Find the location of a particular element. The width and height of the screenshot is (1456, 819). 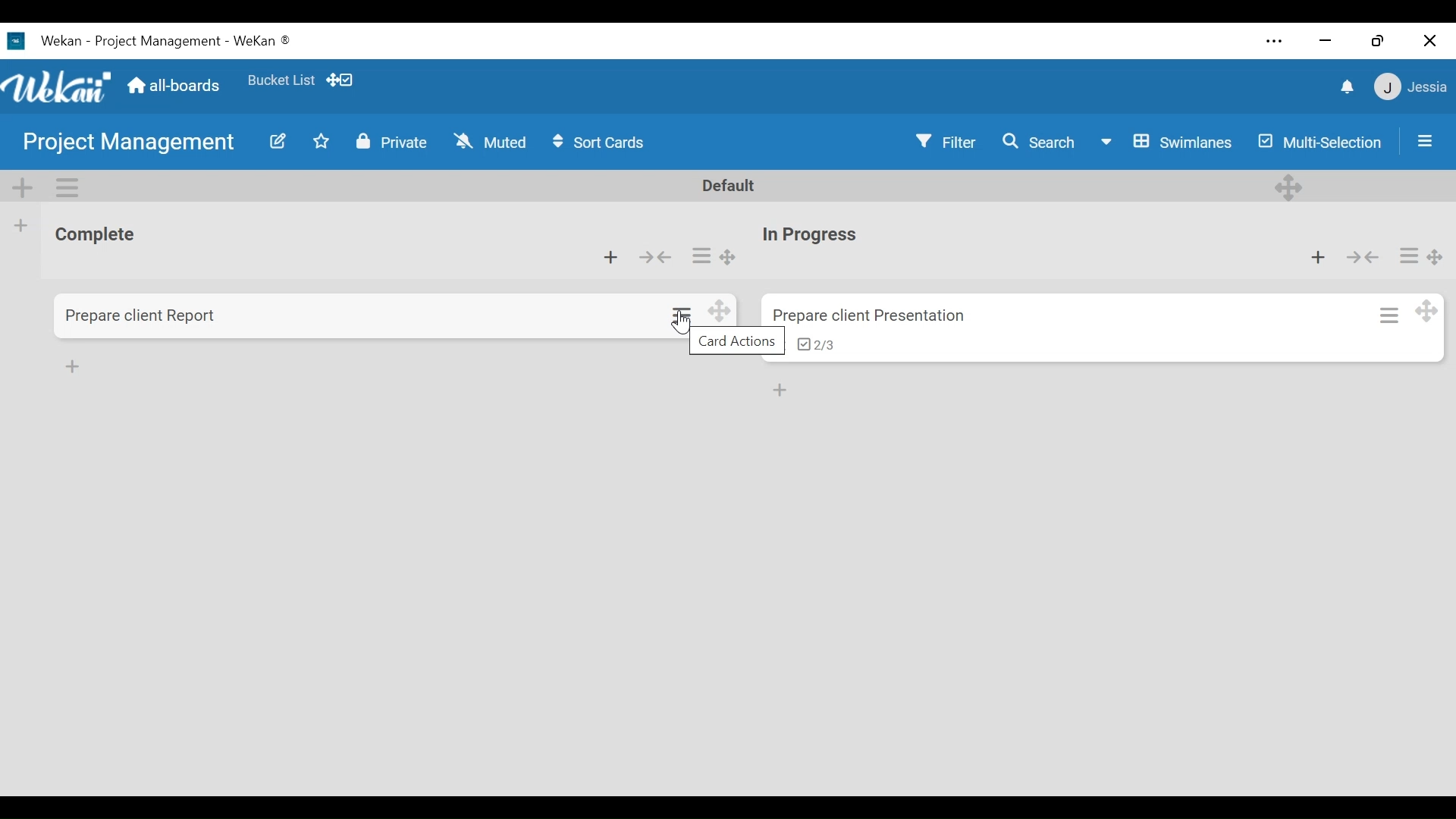

Default is located at coordinates (731, 185).